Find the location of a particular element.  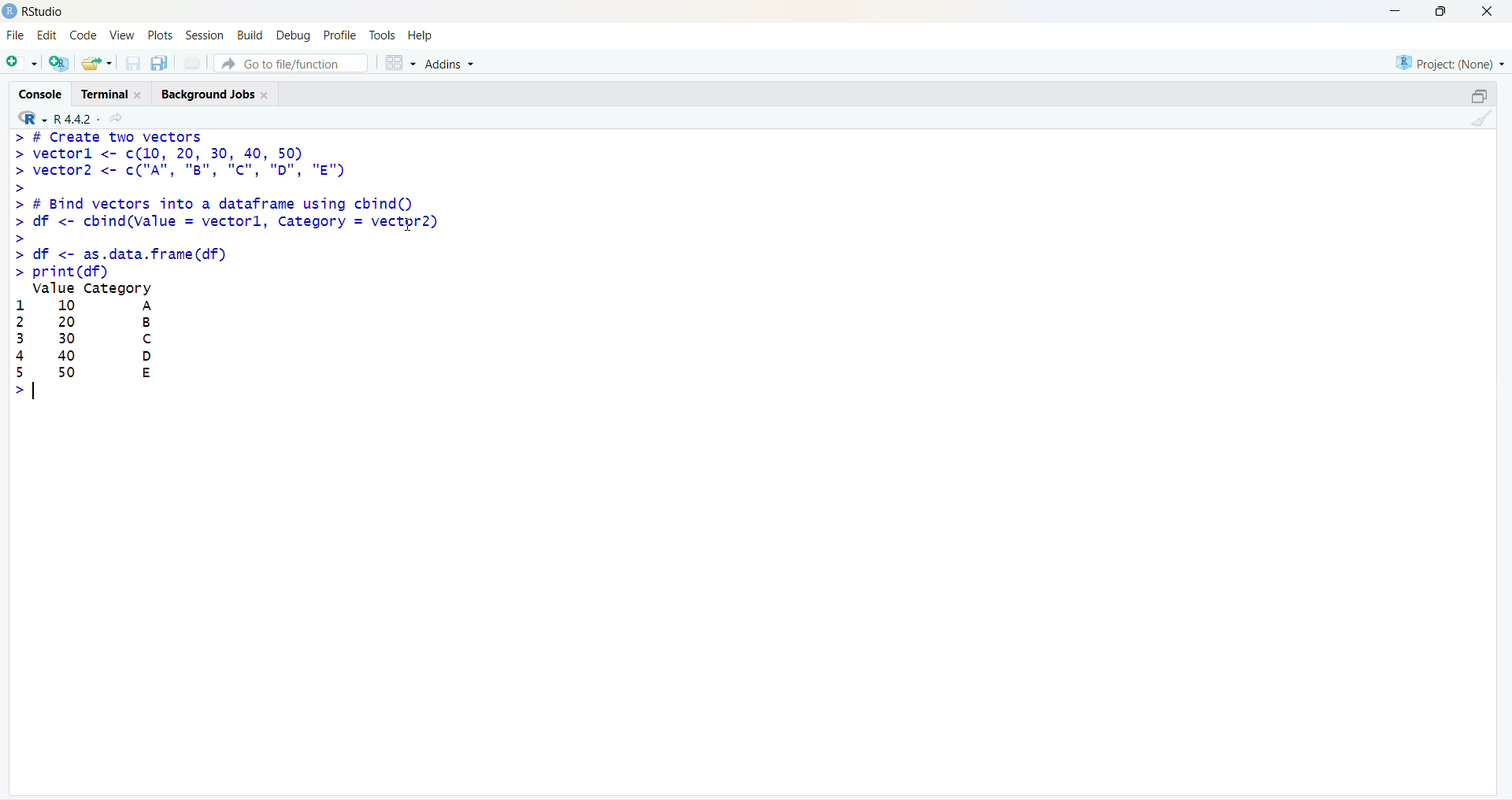

Console is located at coordinates (39, 92).